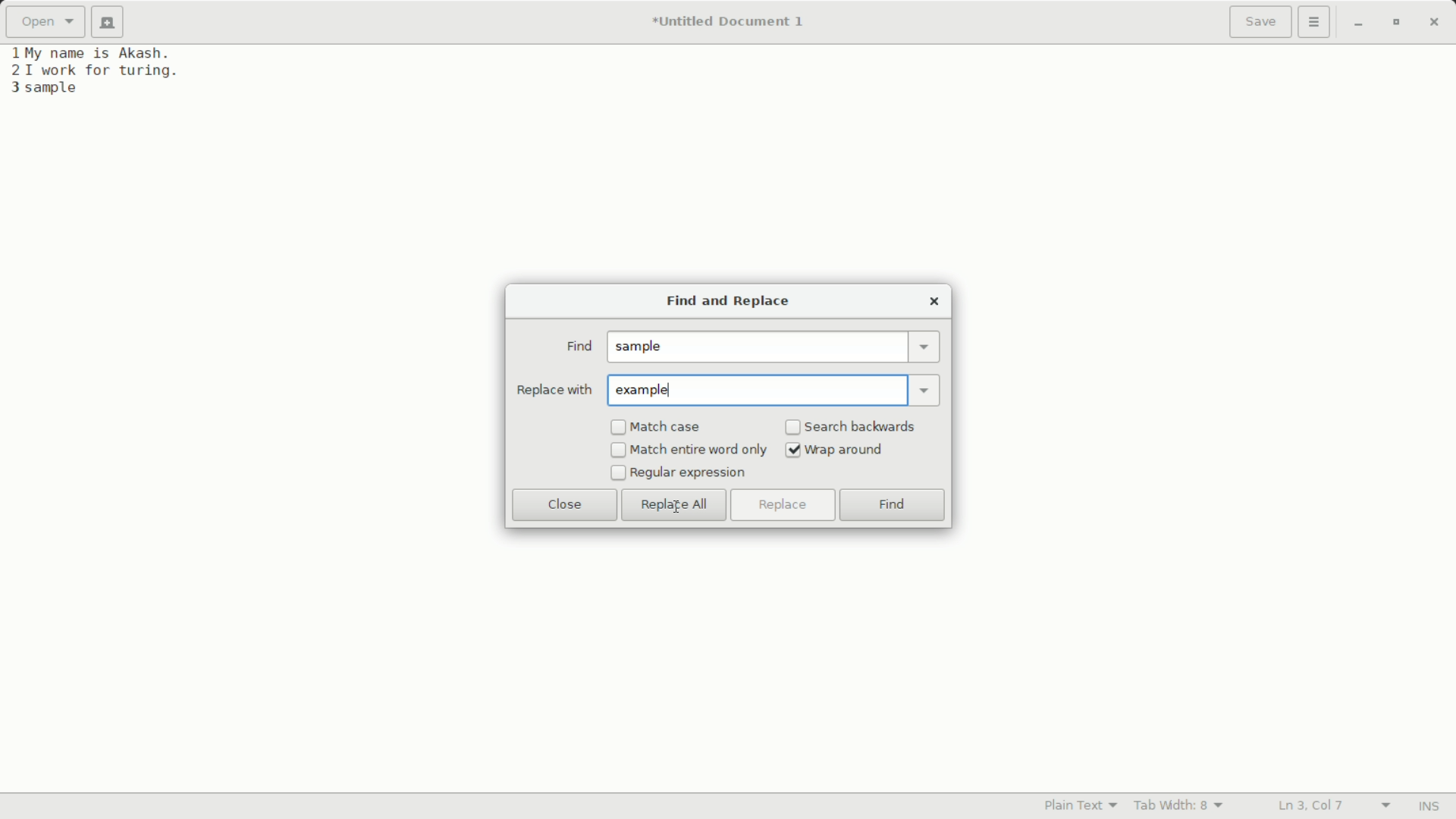  Describe the element at coordinates (1395, 23) in the screenshot. I see `maximize or restore` at that location.